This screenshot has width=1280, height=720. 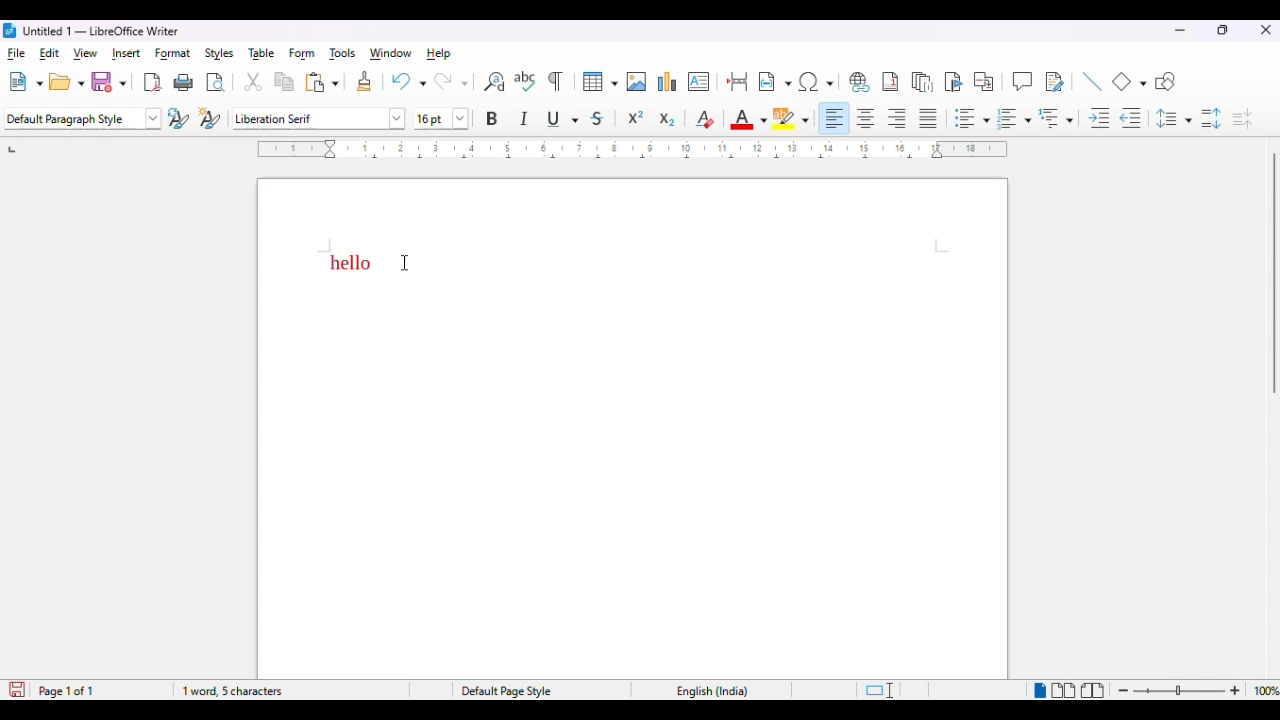 What do you see at coordinates (985, 82) in the screenshot?
I see `insert cross-reference` at bounding box center [985, 82].